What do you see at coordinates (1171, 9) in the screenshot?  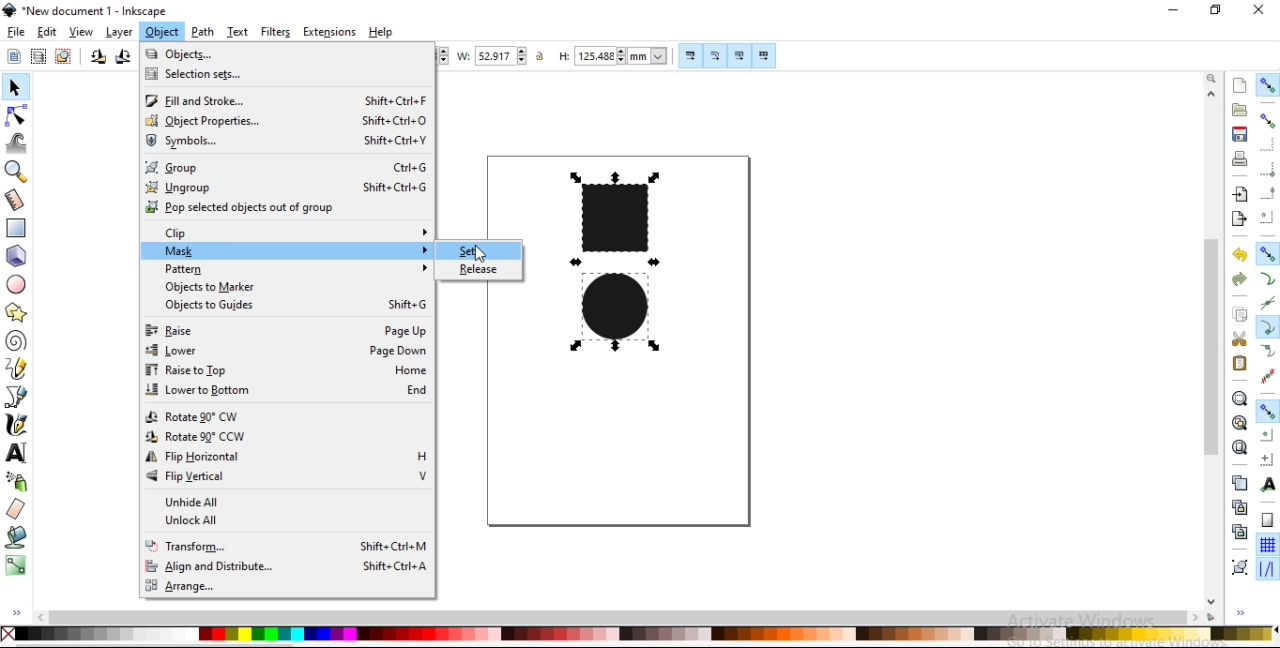 I see `minimize` at bounding box center [1171, 9].